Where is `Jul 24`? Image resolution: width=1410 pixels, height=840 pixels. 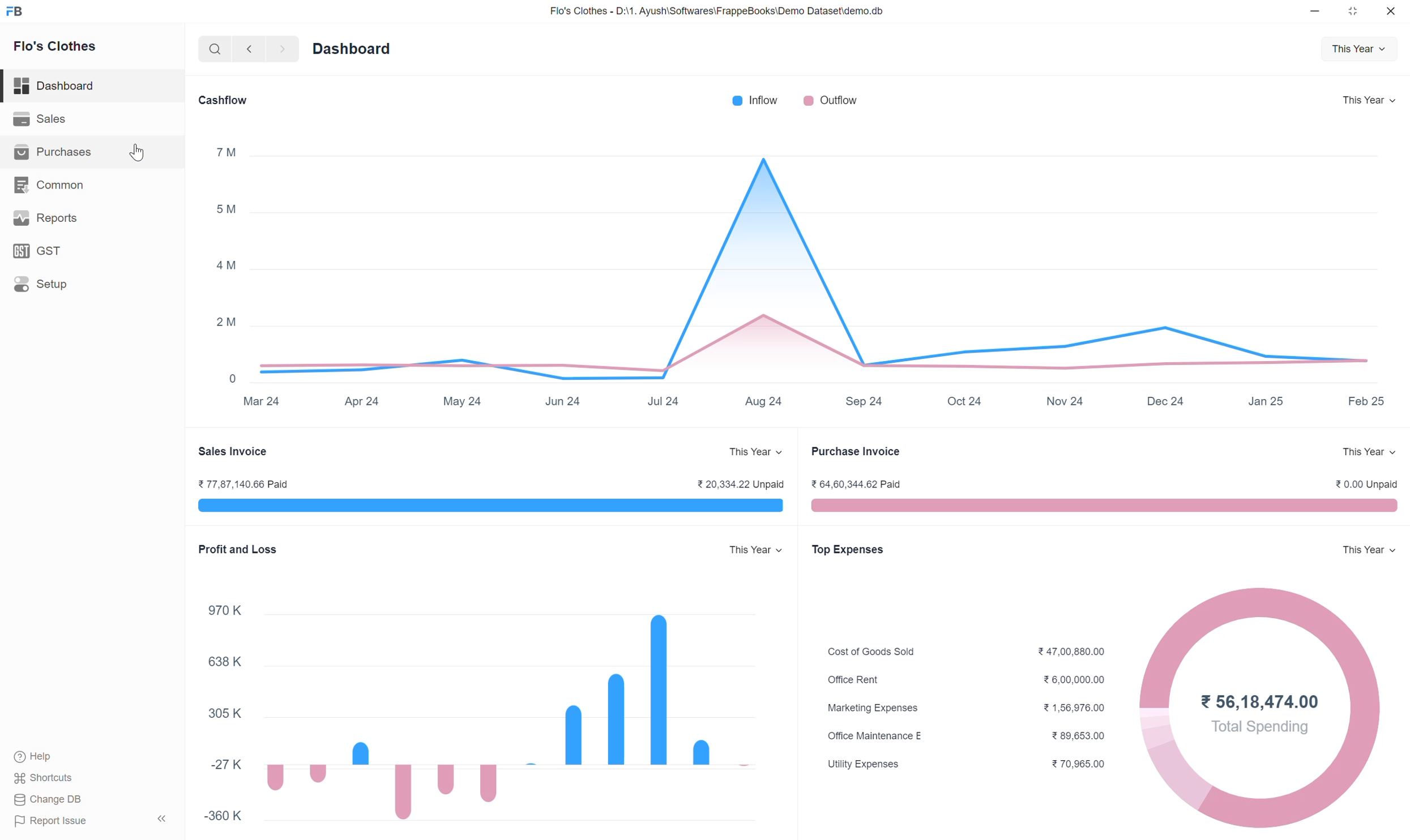
Jul 24 is located at coordinates (664, 401).